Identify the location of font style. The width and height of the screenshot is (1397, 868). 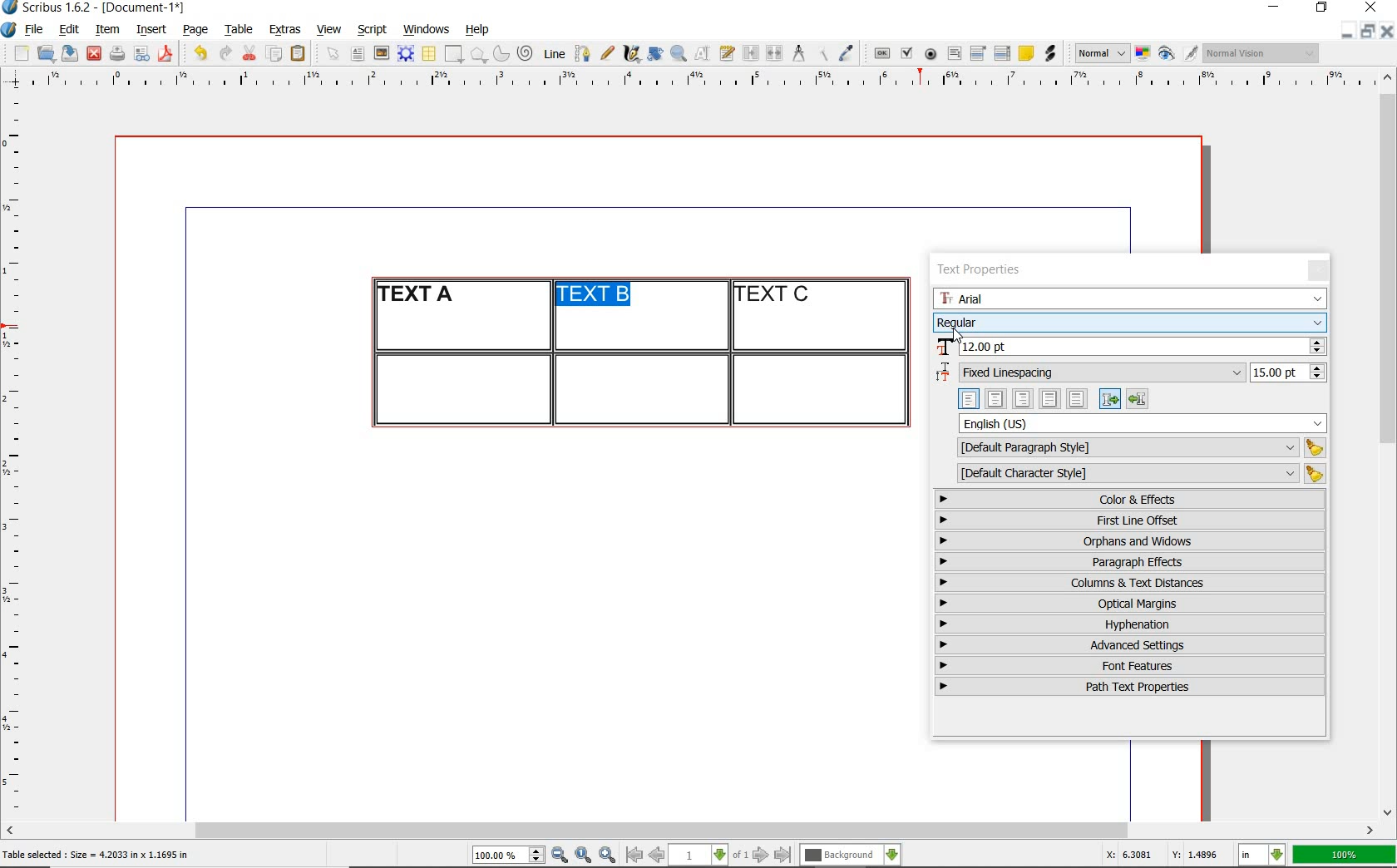
(1130, 322).